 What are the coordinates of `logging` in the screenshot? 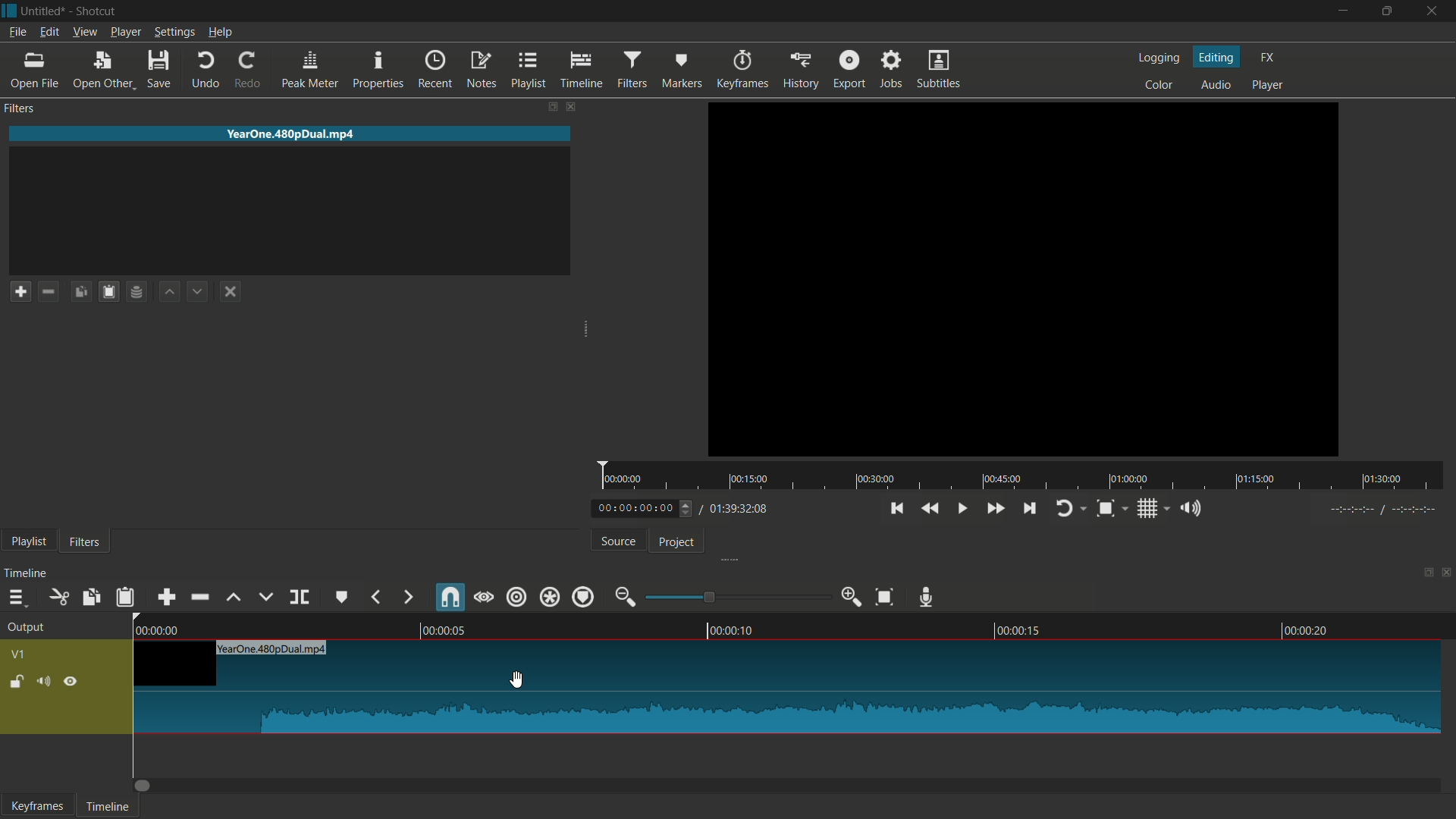 It's located at (1156, 58).